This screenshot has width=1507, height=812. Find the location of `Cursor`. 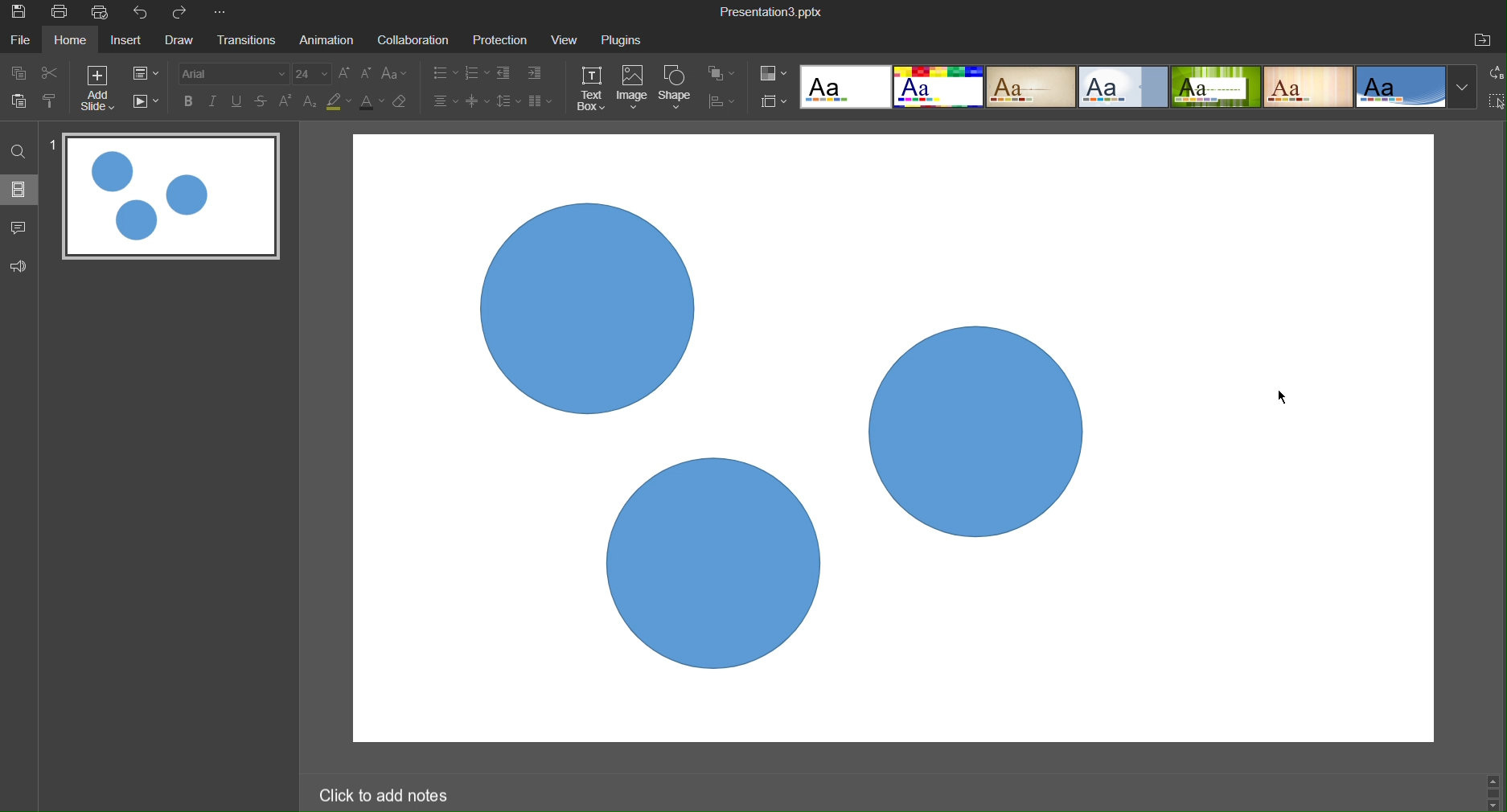

Cursor is located at coordinates (1278, 395).